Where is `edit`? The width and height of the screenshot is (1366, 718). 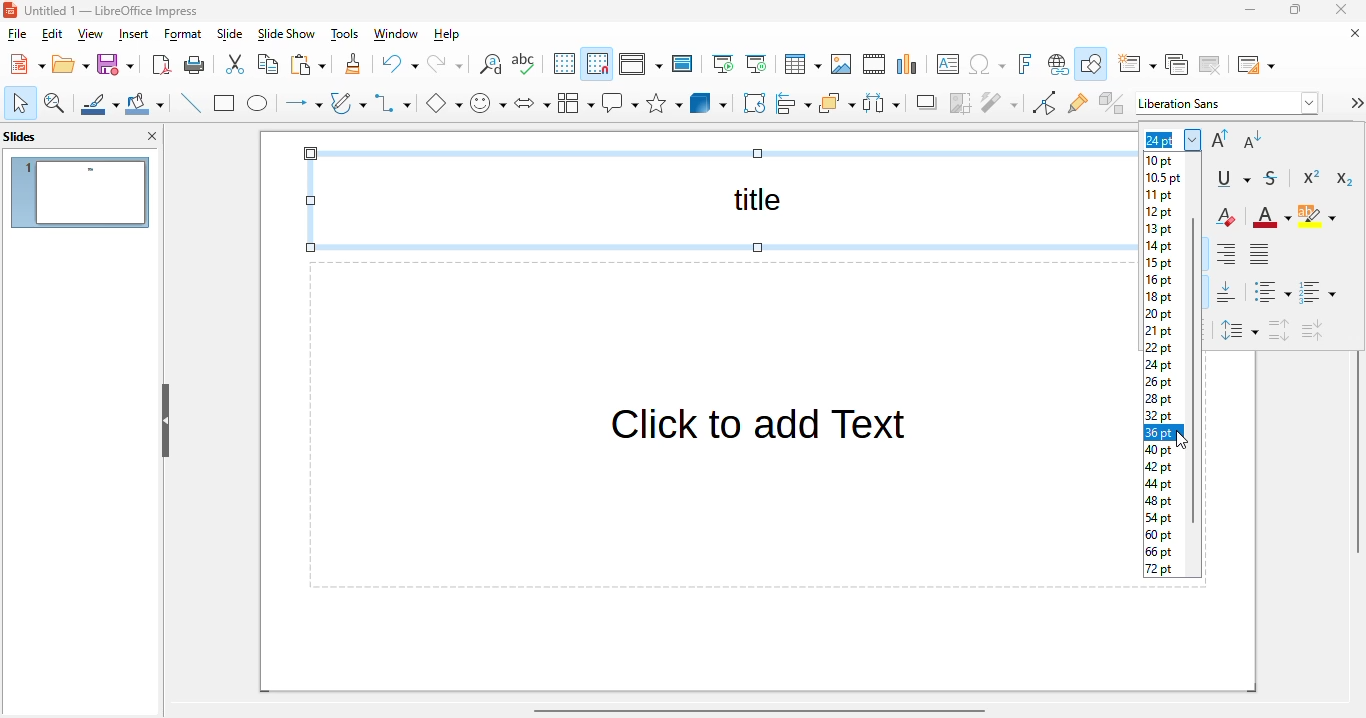
edit is located at coordinates (53, 34).